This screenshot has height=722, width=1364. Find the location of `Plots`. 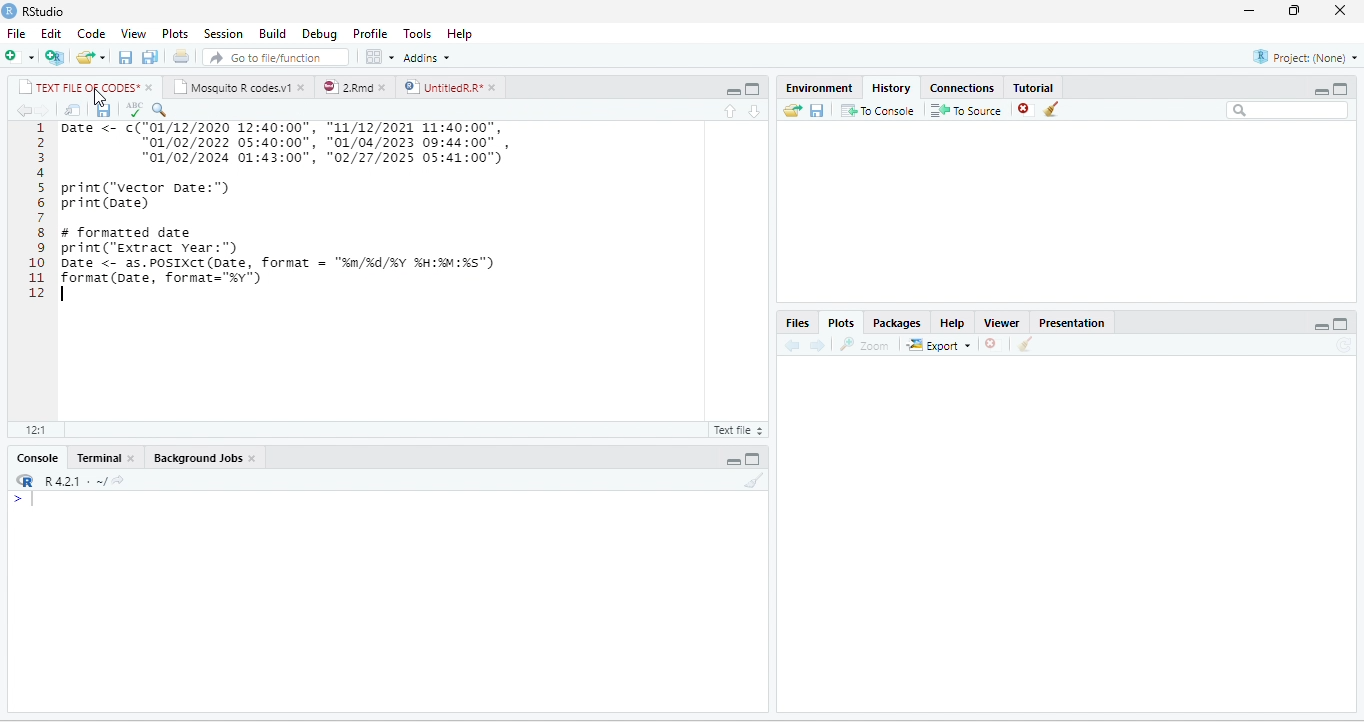

Plots is located at coordinates (175, 34).